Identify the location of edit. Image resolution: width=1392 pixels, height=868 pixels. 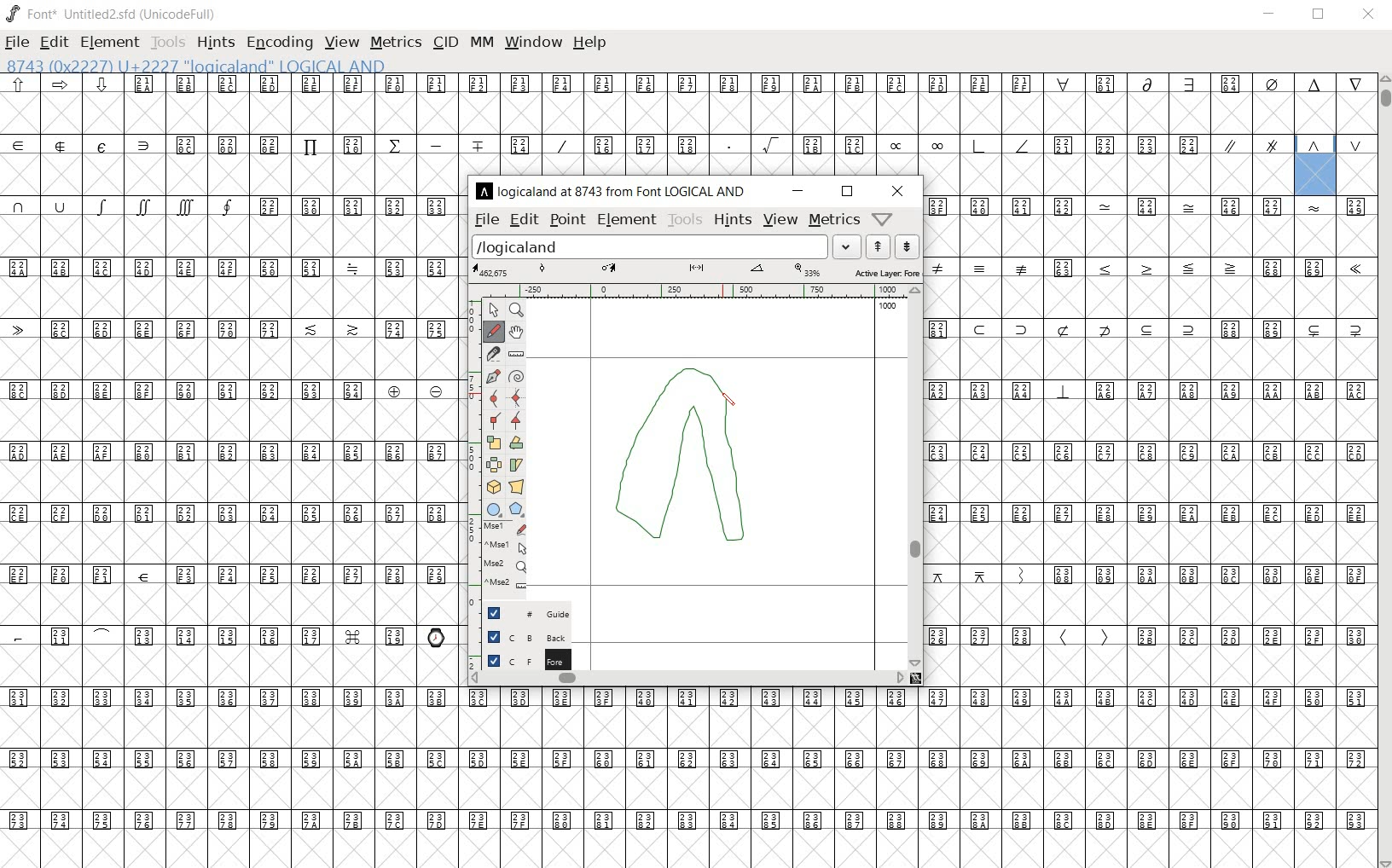
(53, 42).